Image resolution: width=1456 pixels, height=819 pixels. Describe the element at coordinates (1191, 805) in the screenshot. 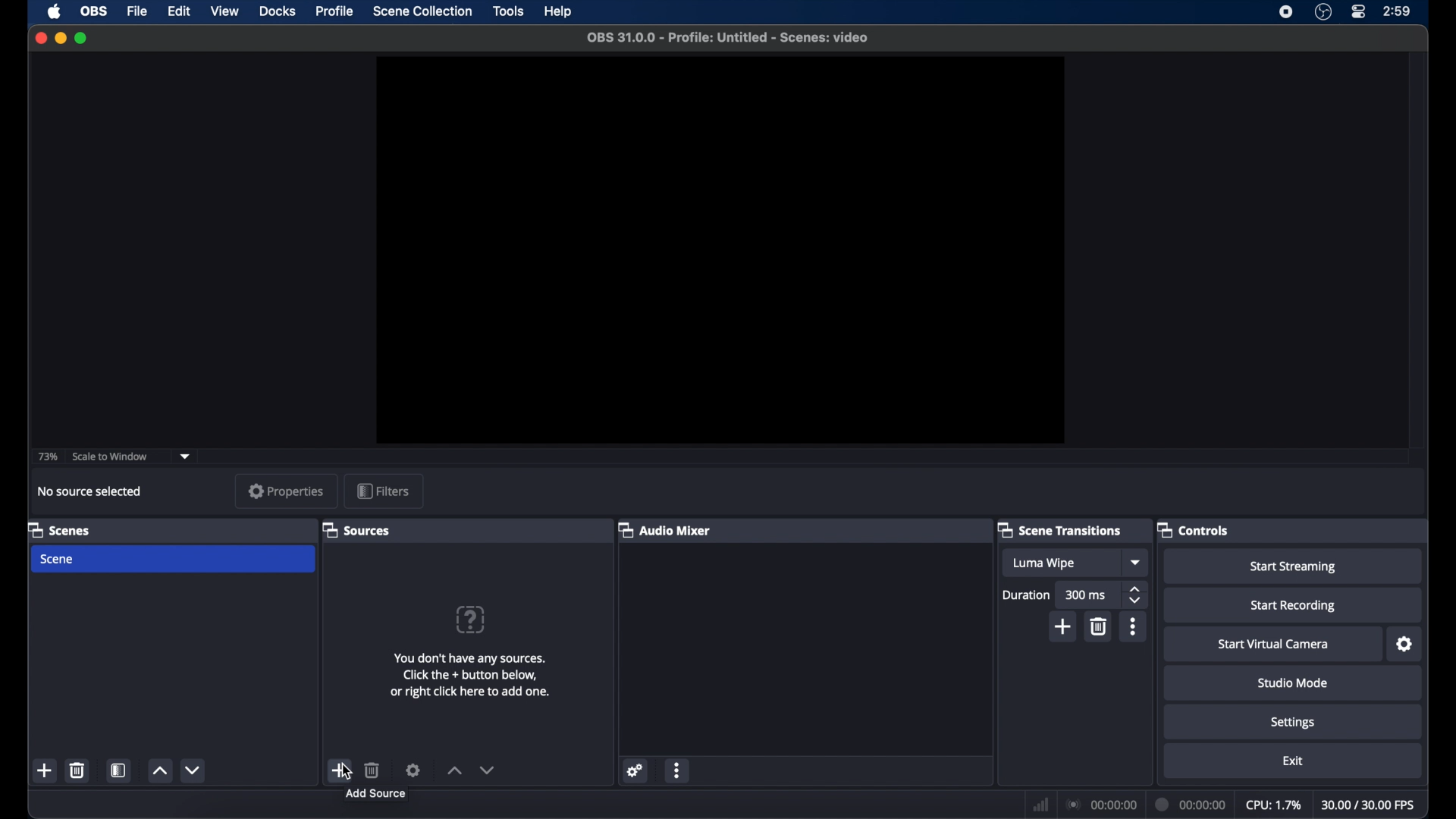

I see `duration` at that location.